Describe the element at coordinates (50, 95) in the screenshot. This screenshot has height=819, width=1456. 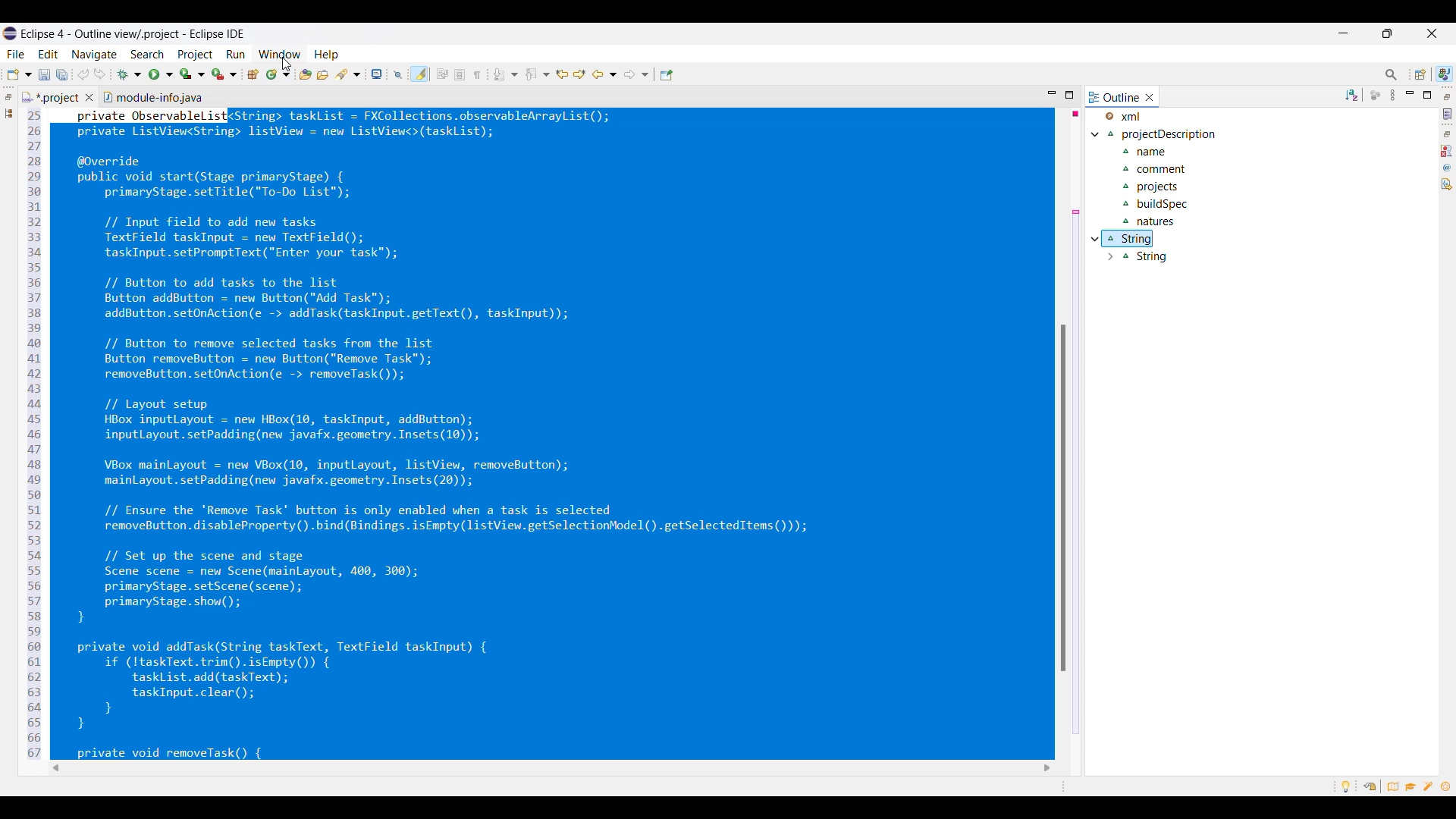
I see `Current tab highlighted` at that location.